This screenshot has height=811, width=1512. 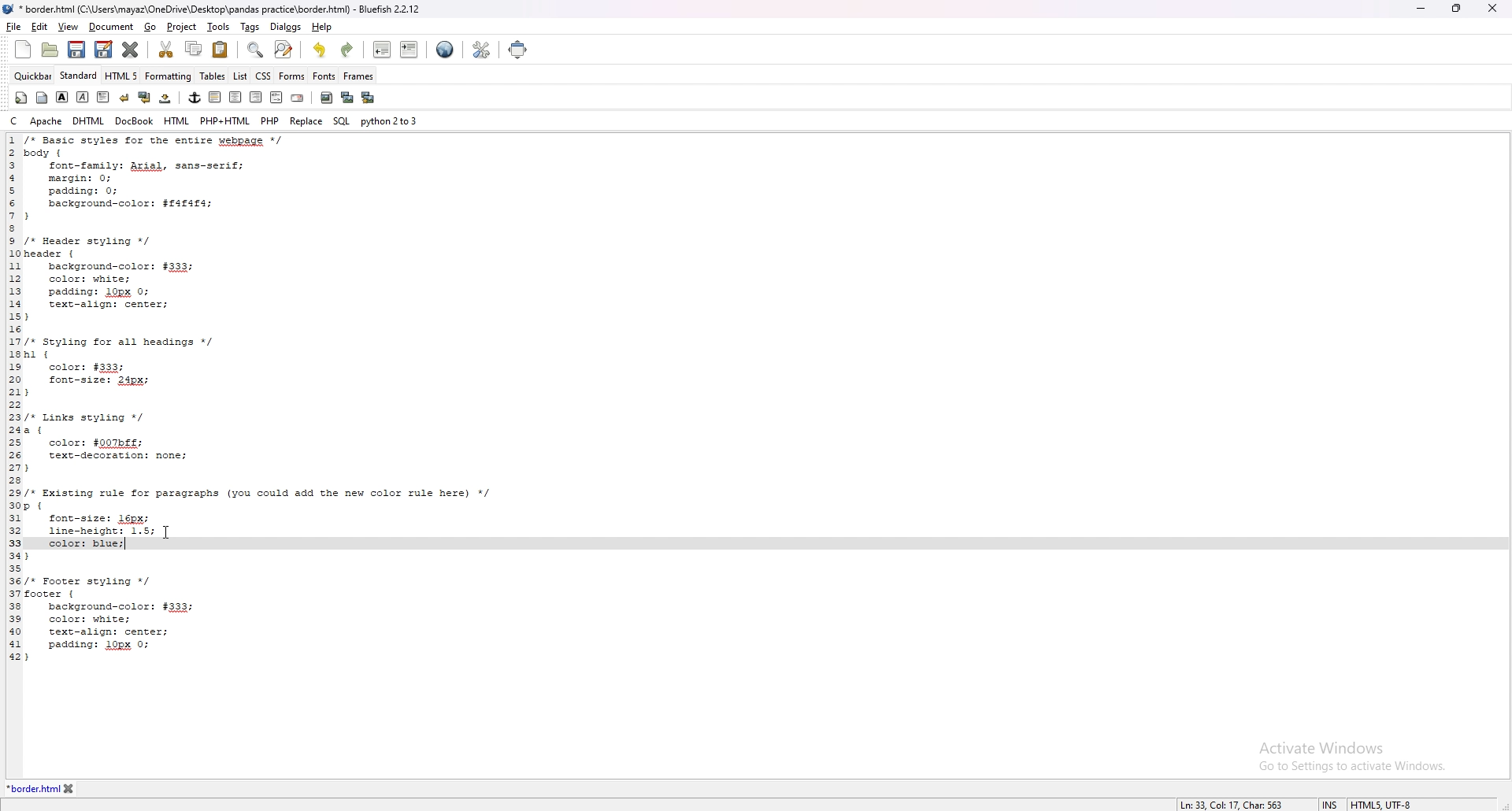 What do you see at coordinates (23, 49) in the screenshot?
I see `new` at bounding box center [23, 49].